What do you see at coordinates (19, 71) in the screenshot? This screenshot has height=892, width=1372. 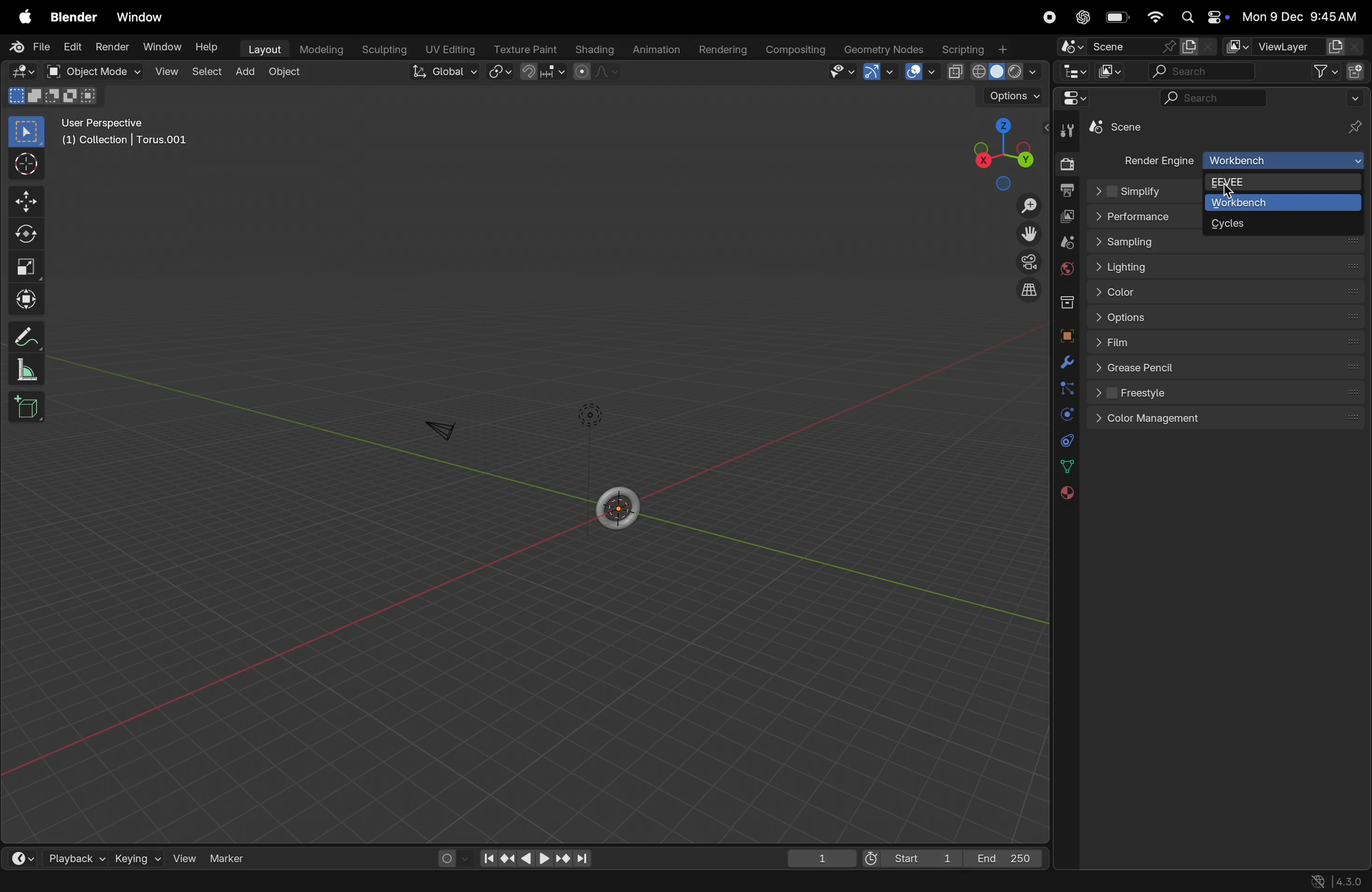 I see `editor type` at bounding box center [19, 71].